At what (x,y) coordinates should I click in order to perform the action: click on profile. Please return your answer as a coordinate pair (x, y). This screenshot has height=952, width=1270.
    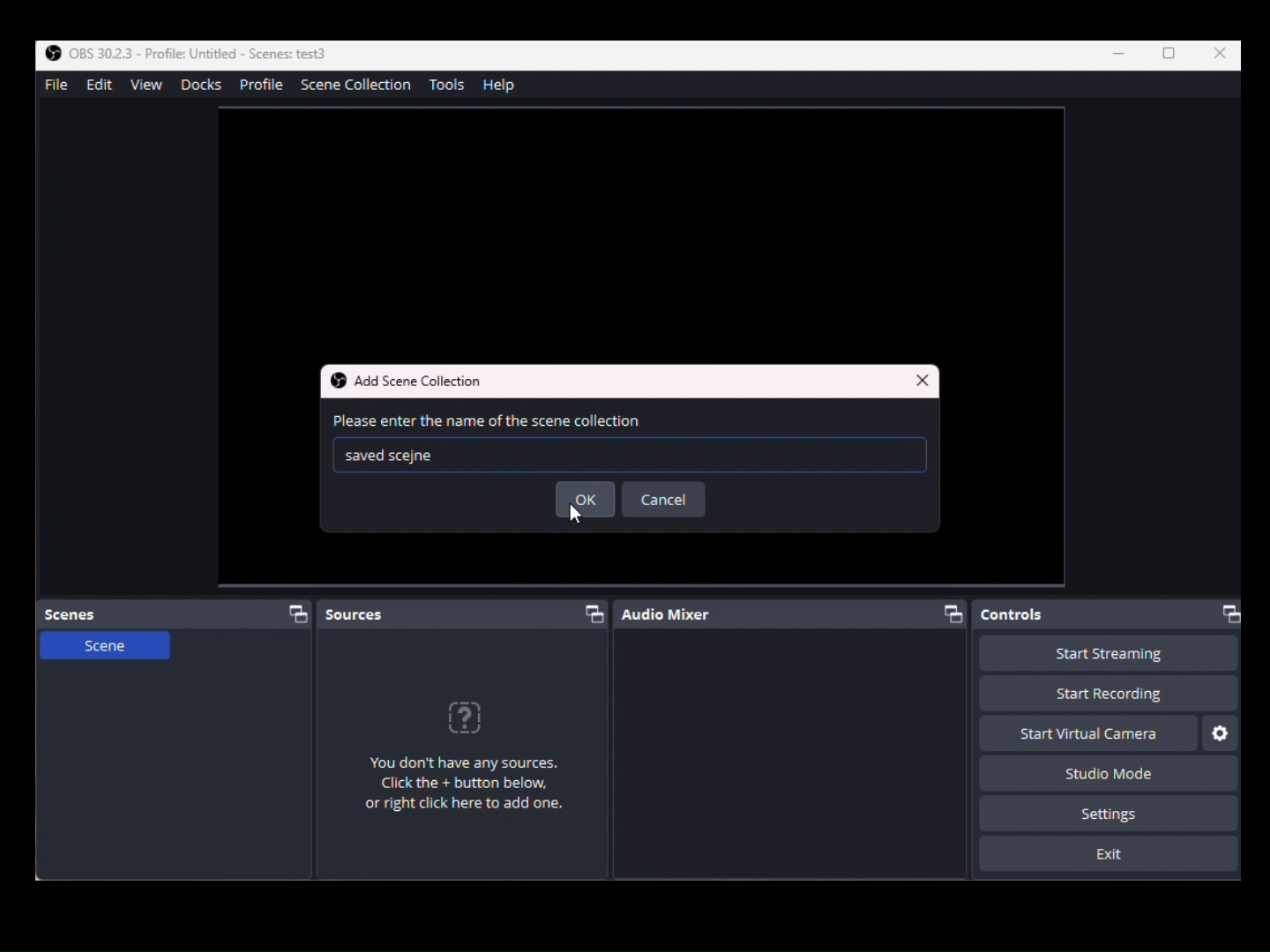
    Looking at the image, I should click on (261, 85).